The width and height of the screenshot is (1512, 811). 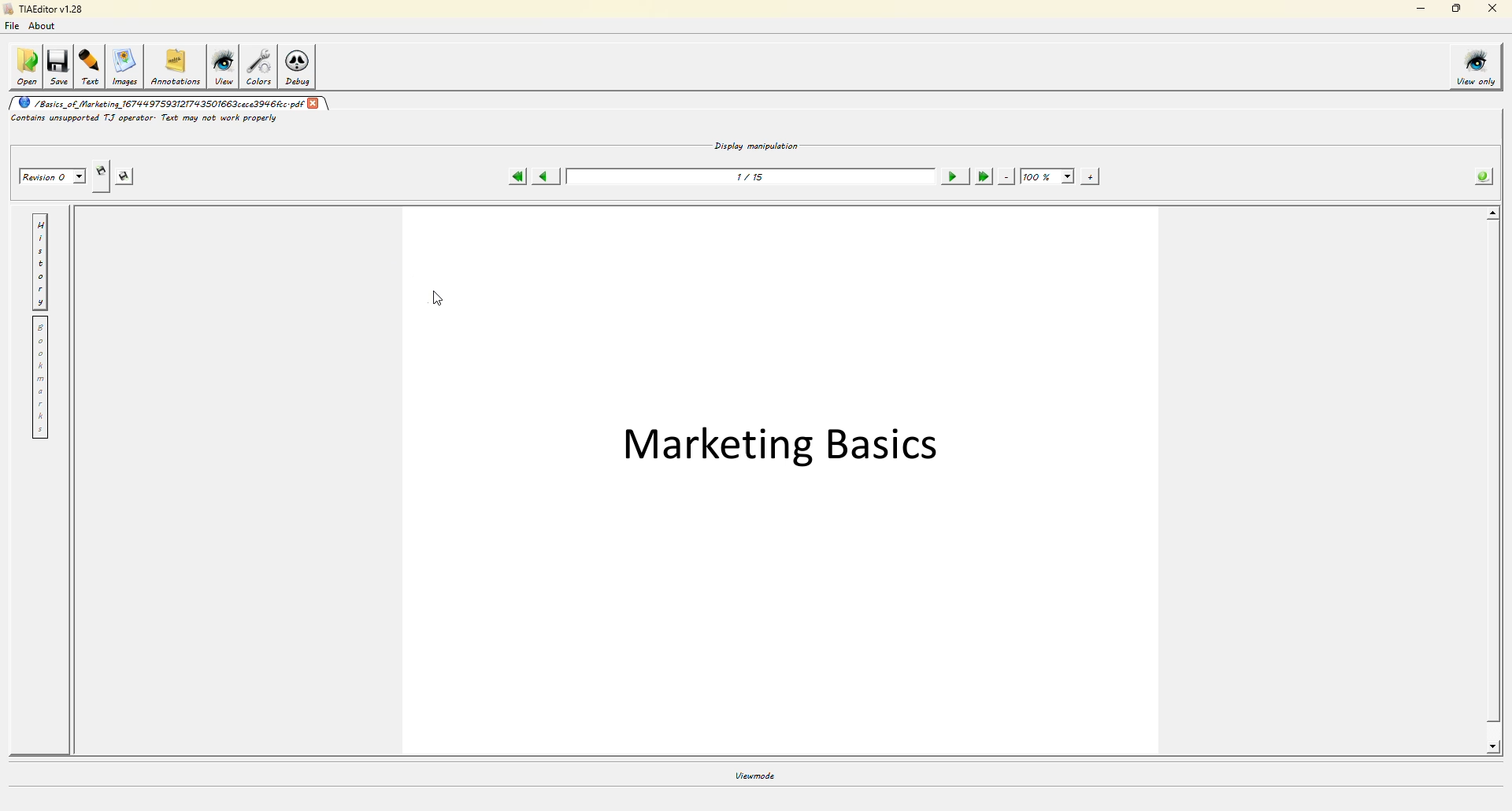 What do you see at coordinates (102, 172) in the screenshot?
I see `creates new revision` at bounding box center [102, 172].